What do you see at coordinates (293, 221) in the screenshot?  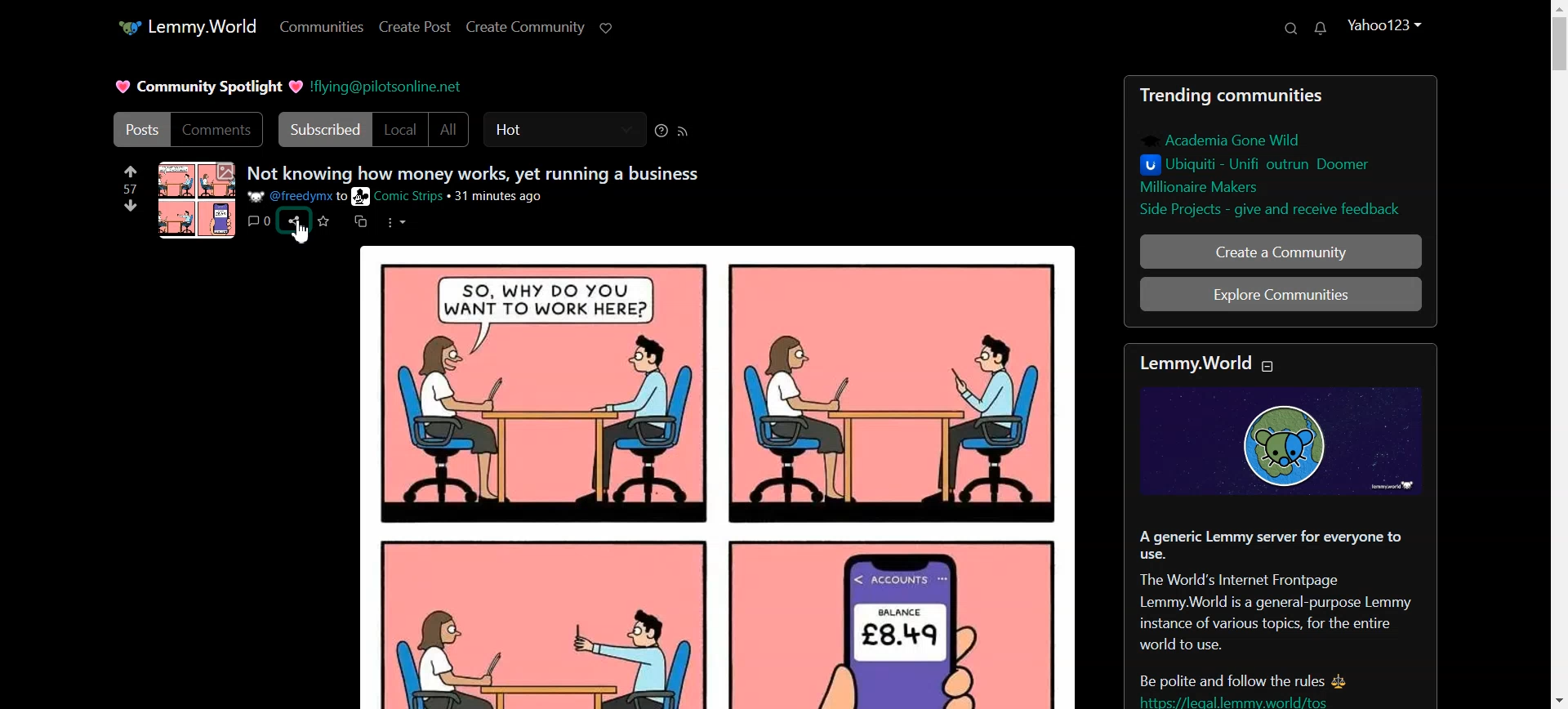 I see `Share` at bounding box center [293, 221].